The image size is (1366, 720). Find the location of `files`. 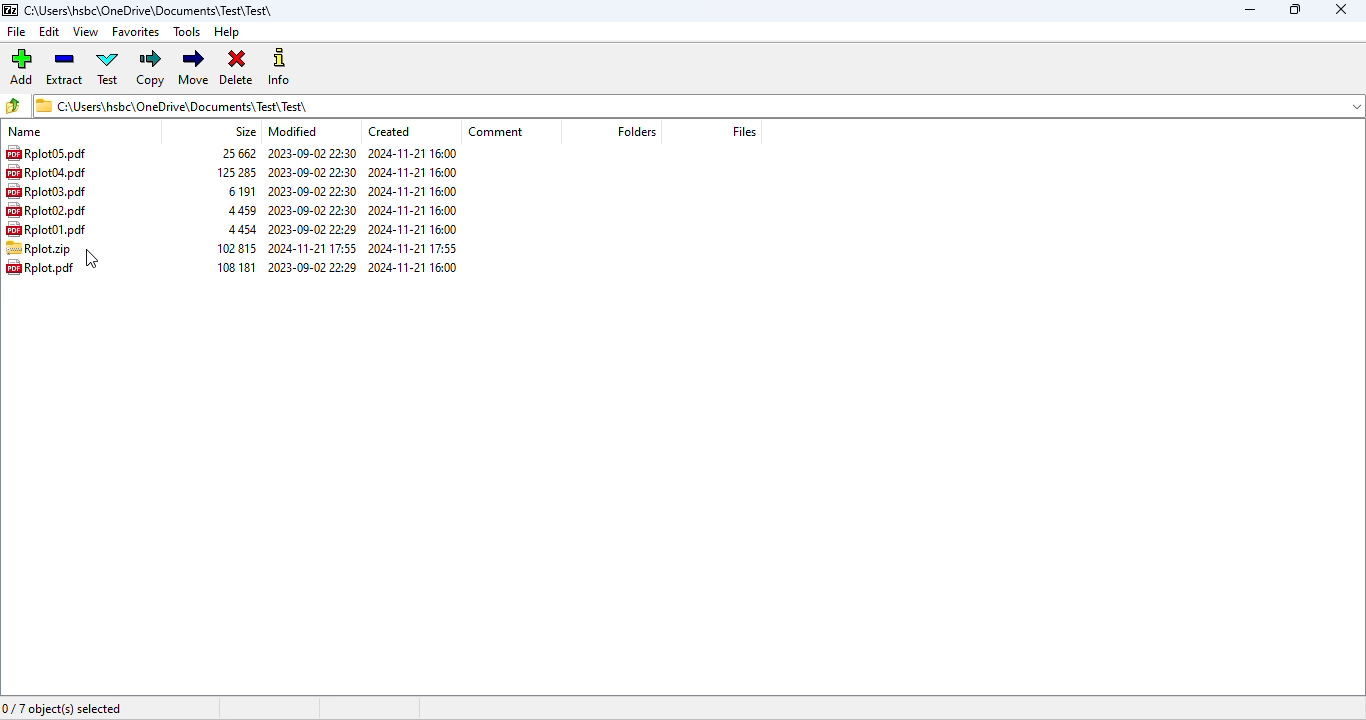

files is located at coordinates (744, 131).